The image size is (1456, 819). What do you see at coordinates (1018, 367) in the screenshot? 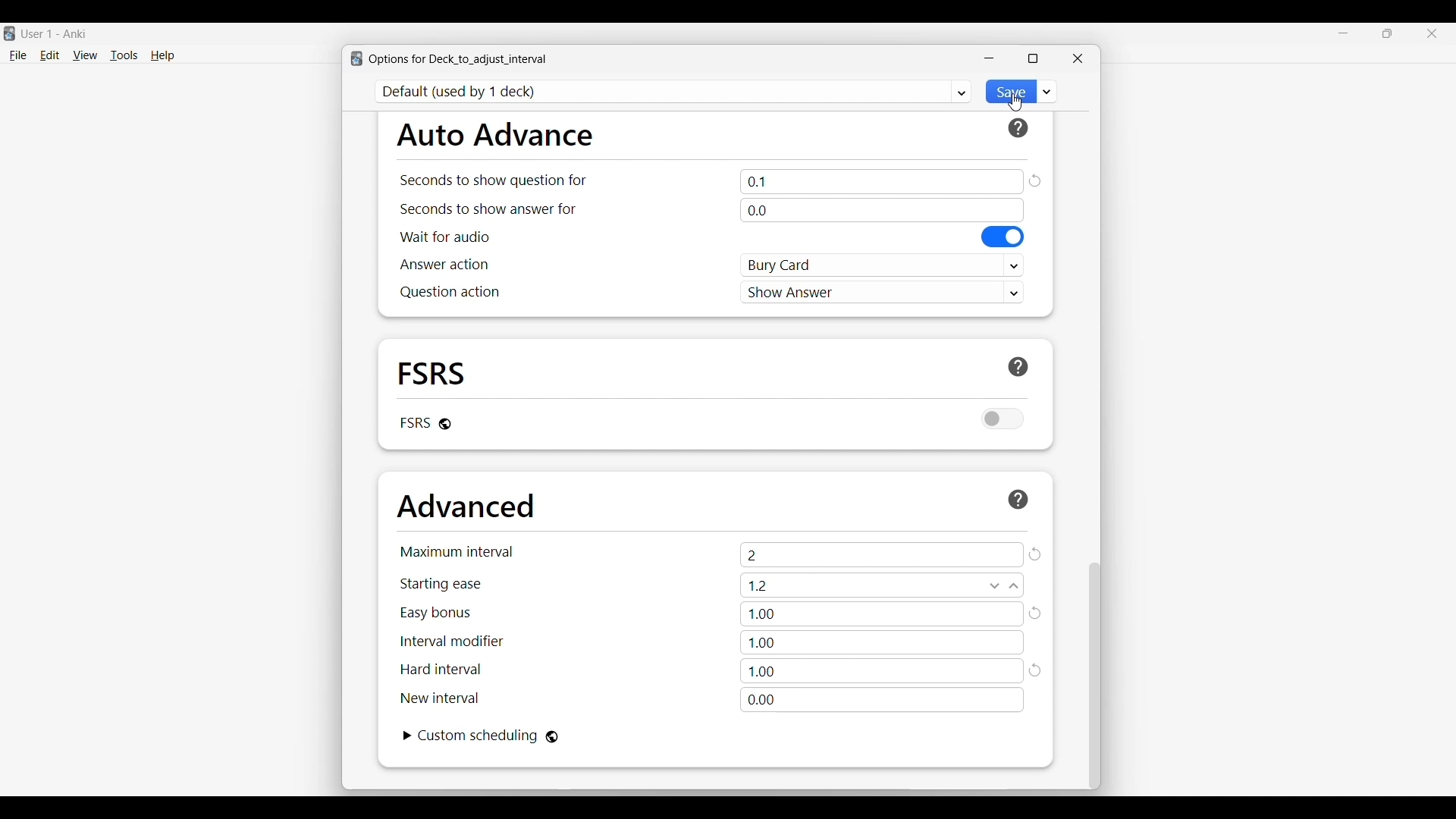
I see `Learn more about FSRS` at bounding box center [1018, 367].